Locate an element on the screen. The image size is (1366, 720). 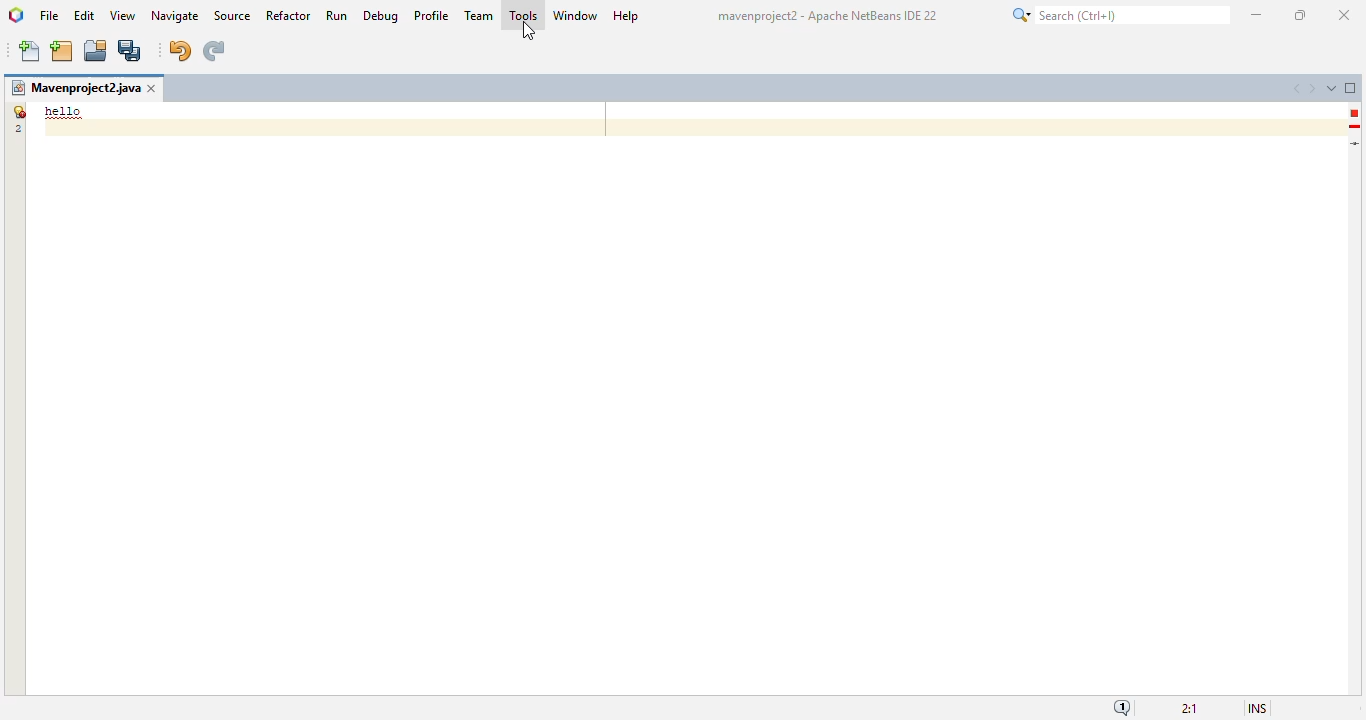
cursor is located at coordinates (528, 32).